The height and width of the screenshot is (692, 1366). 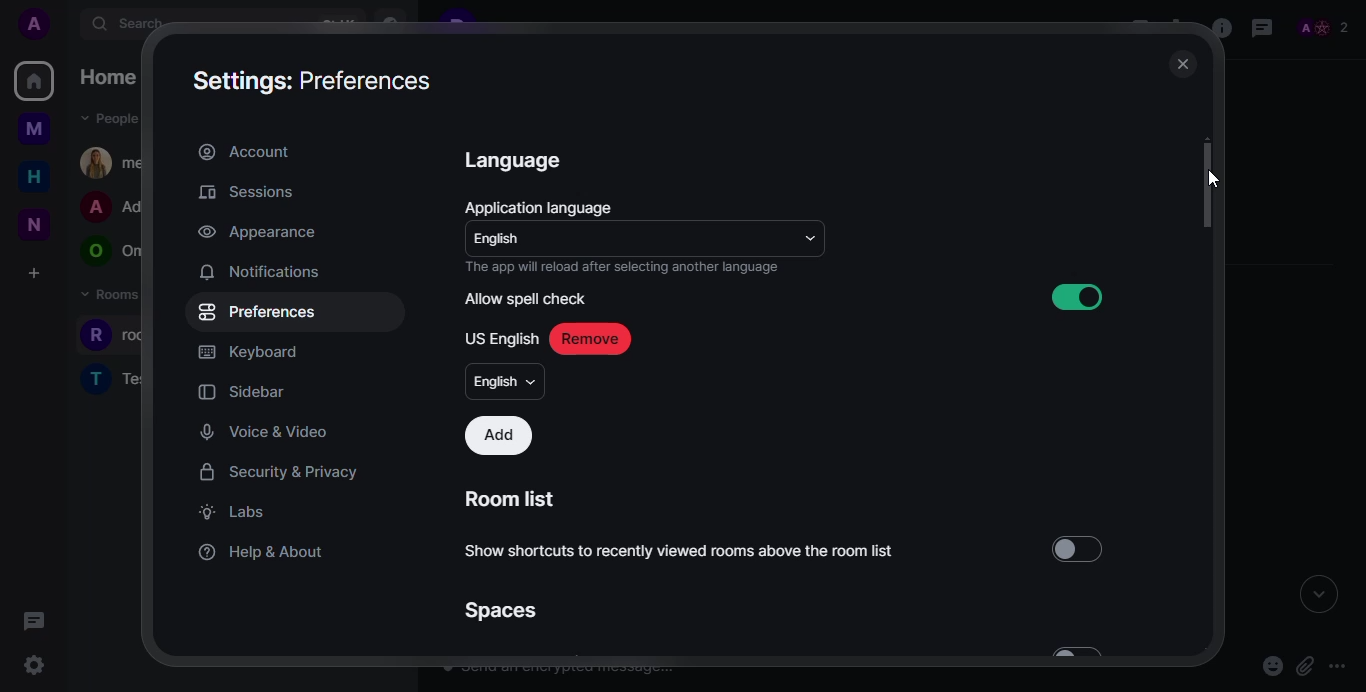 What do you see at coordinates (526, 299) in the screenshot?
I see `allow spell check` at bounding box center [526, 299].